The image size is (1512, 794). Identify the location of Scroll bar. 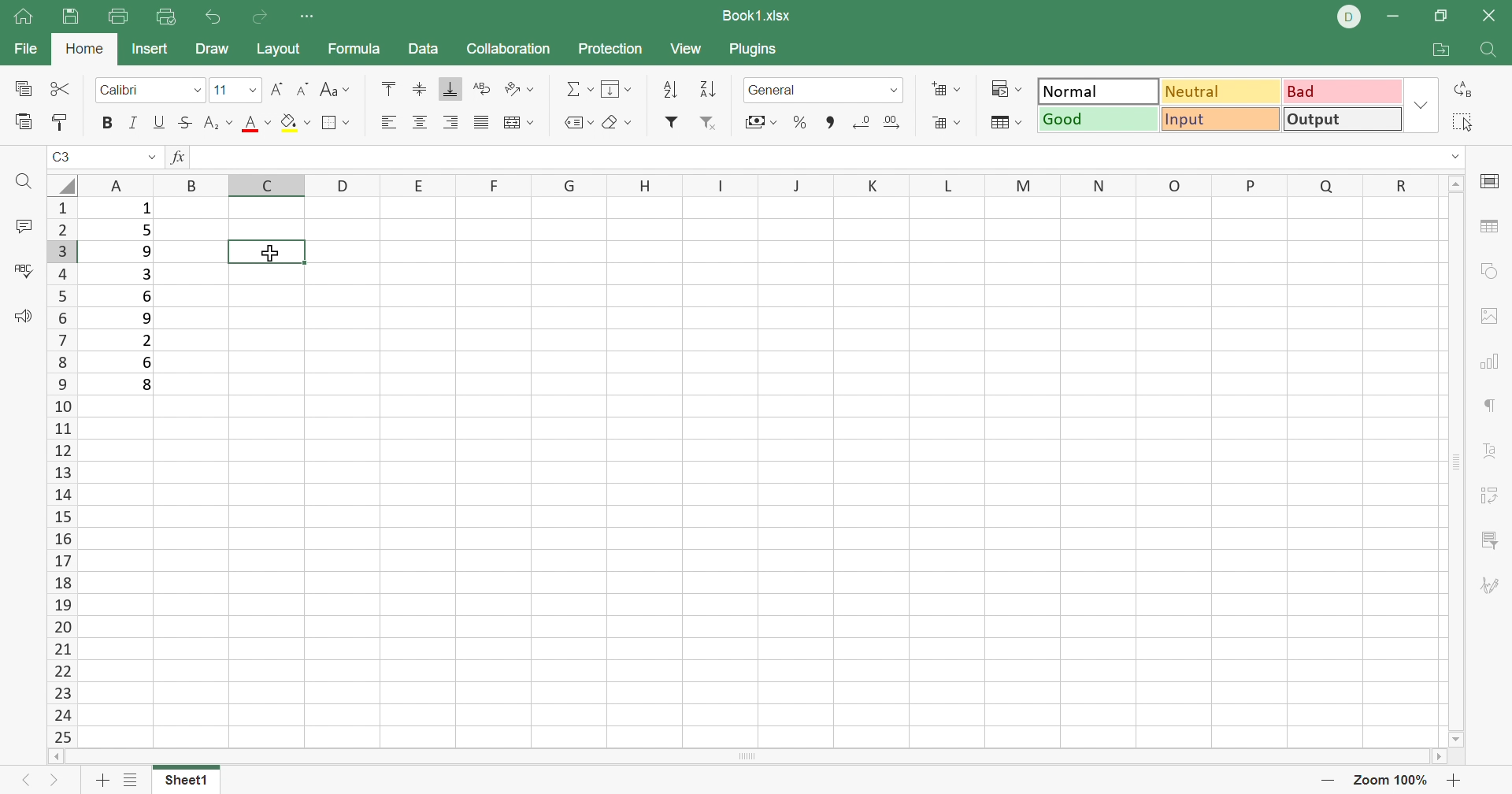
(747, 756).